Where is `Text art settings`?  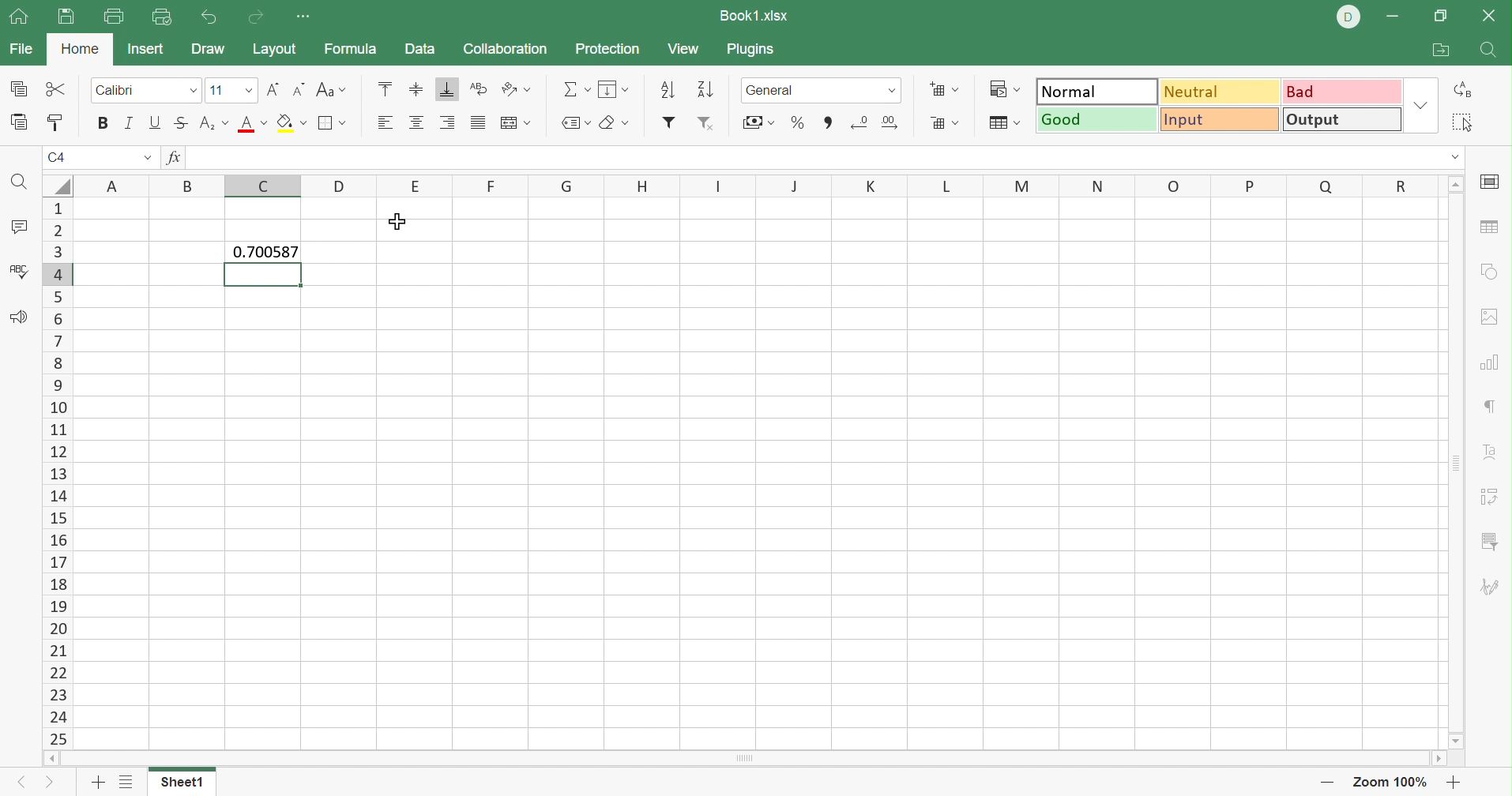
Text art settings is located at coordinates (1488, 451).